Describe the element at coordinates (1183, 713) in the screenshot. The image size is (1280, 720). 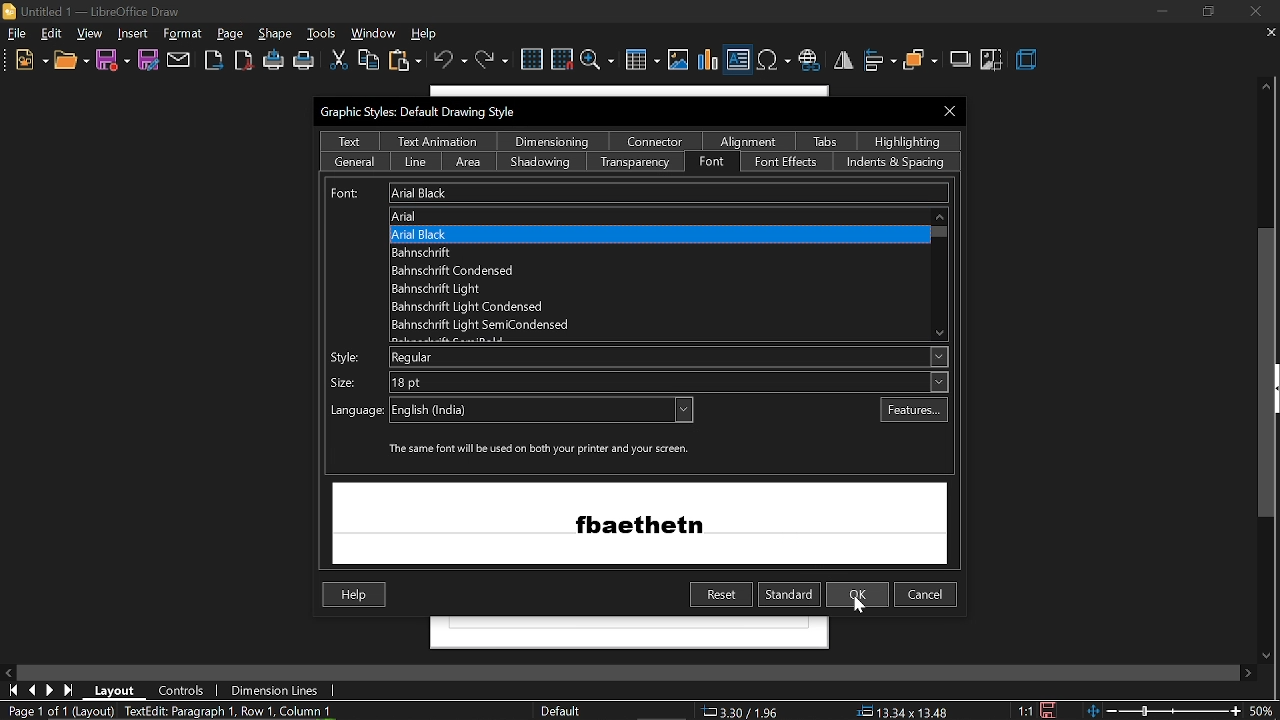
I see `zoom change` at that location.